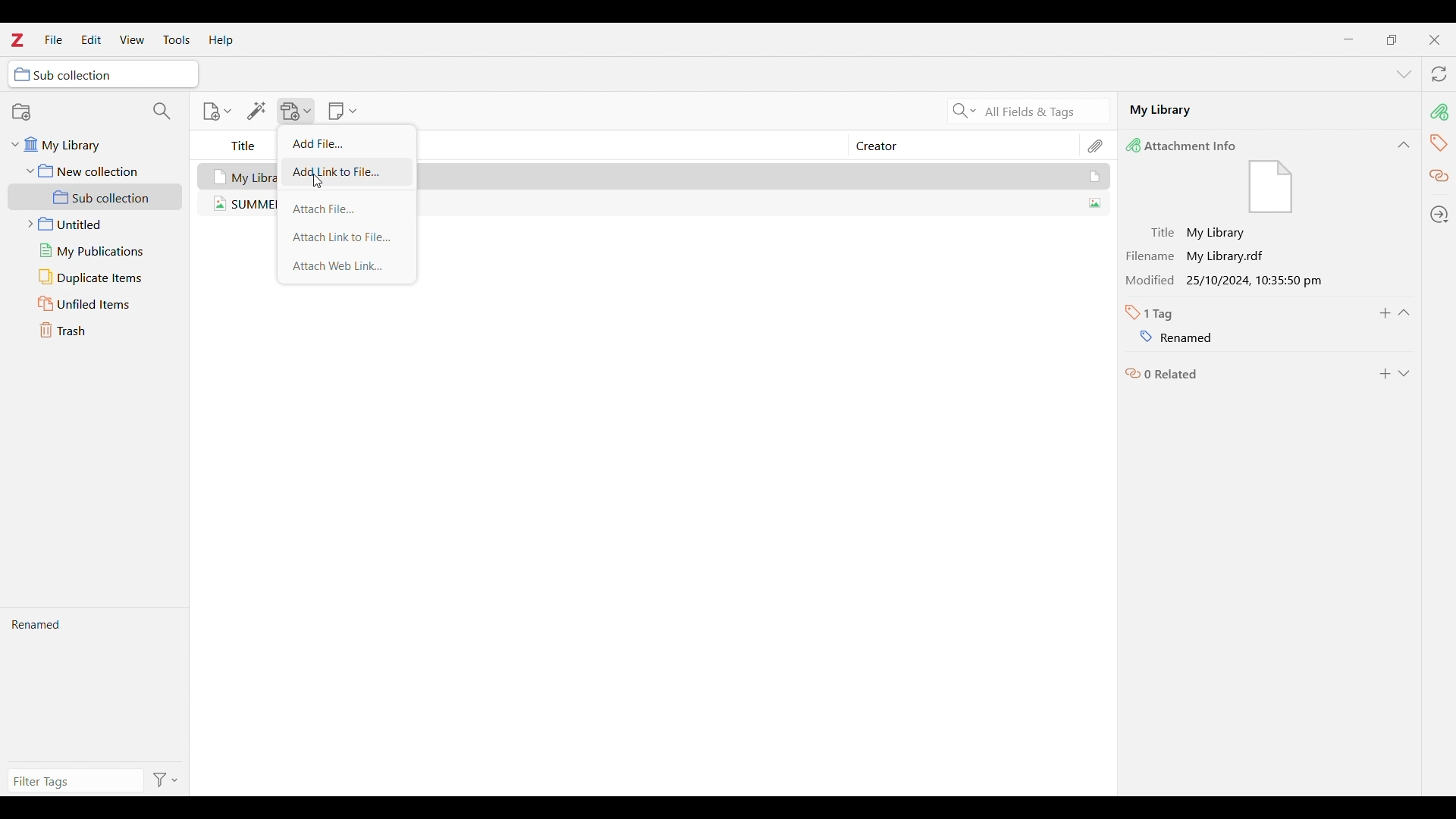 This screenshot has width=1456, height=819. I want to click on Add file, so click(345, 143).